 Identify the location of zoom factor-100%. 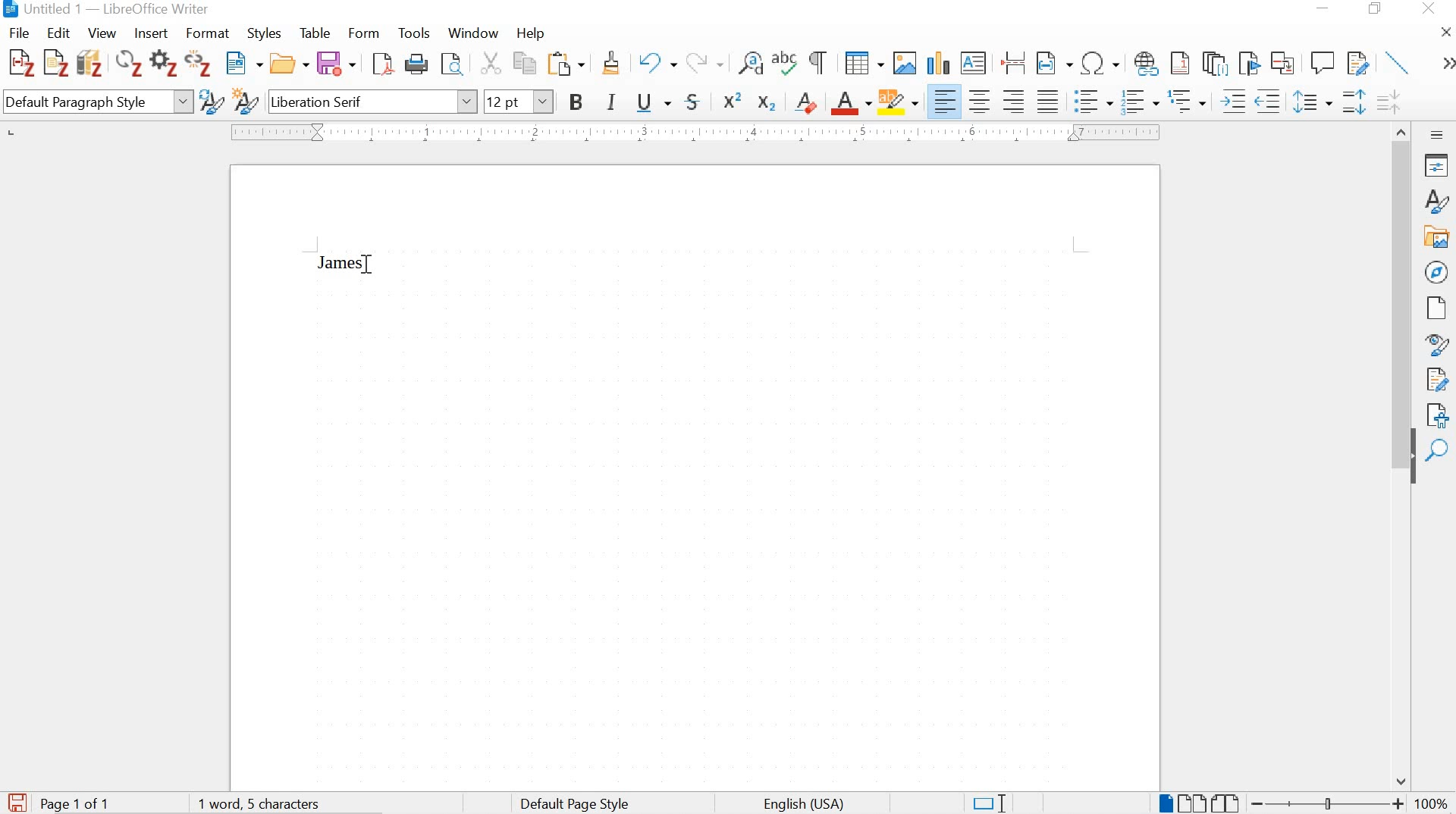
(1430, 804).